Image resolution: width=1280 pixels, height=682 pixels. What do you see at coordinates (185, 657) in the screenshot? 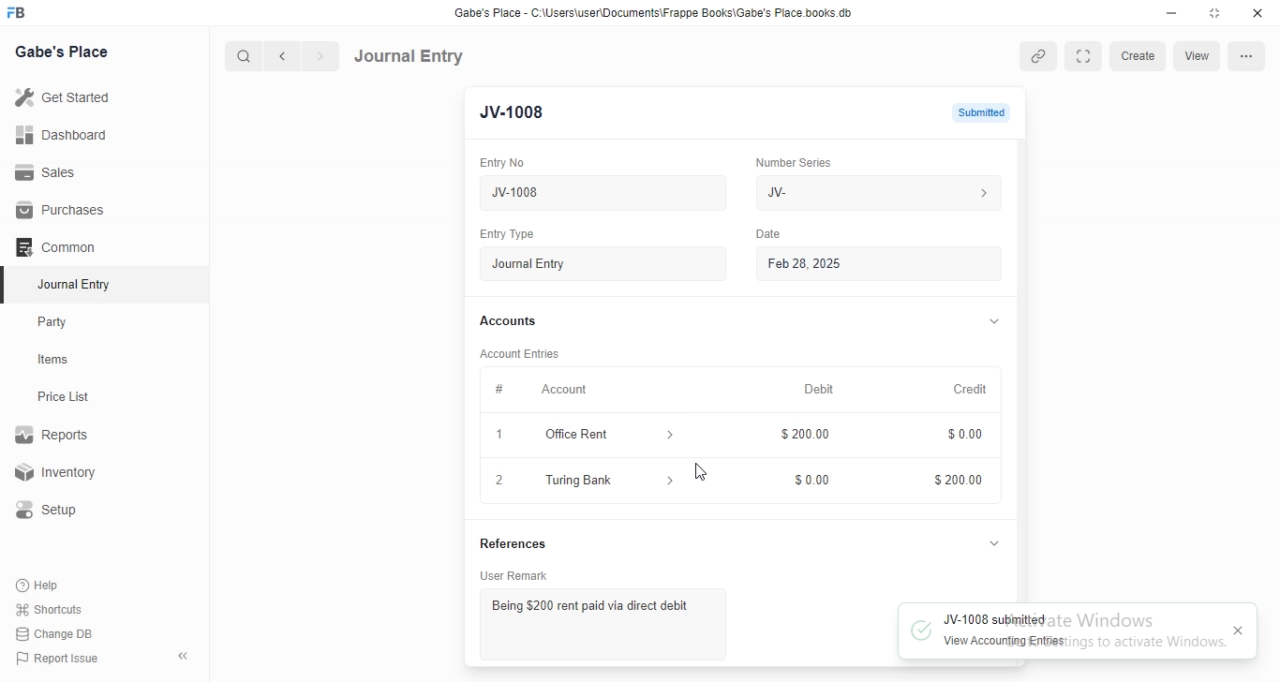
I see `«` at bounding box center [185, 657].